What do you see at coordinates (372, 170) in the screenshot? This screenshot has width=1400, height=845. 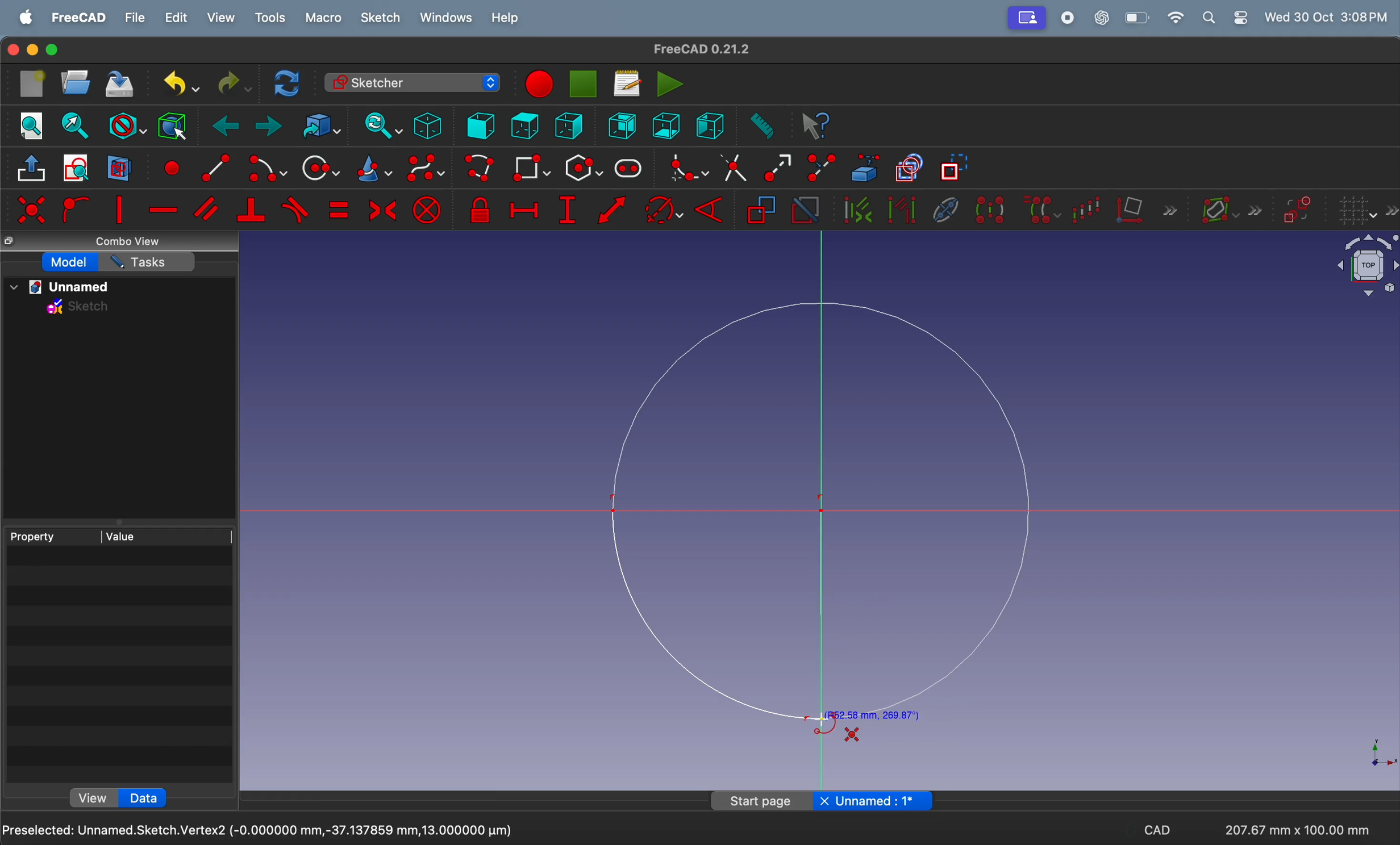 I see `create cone` at bounding box center [372, 170].